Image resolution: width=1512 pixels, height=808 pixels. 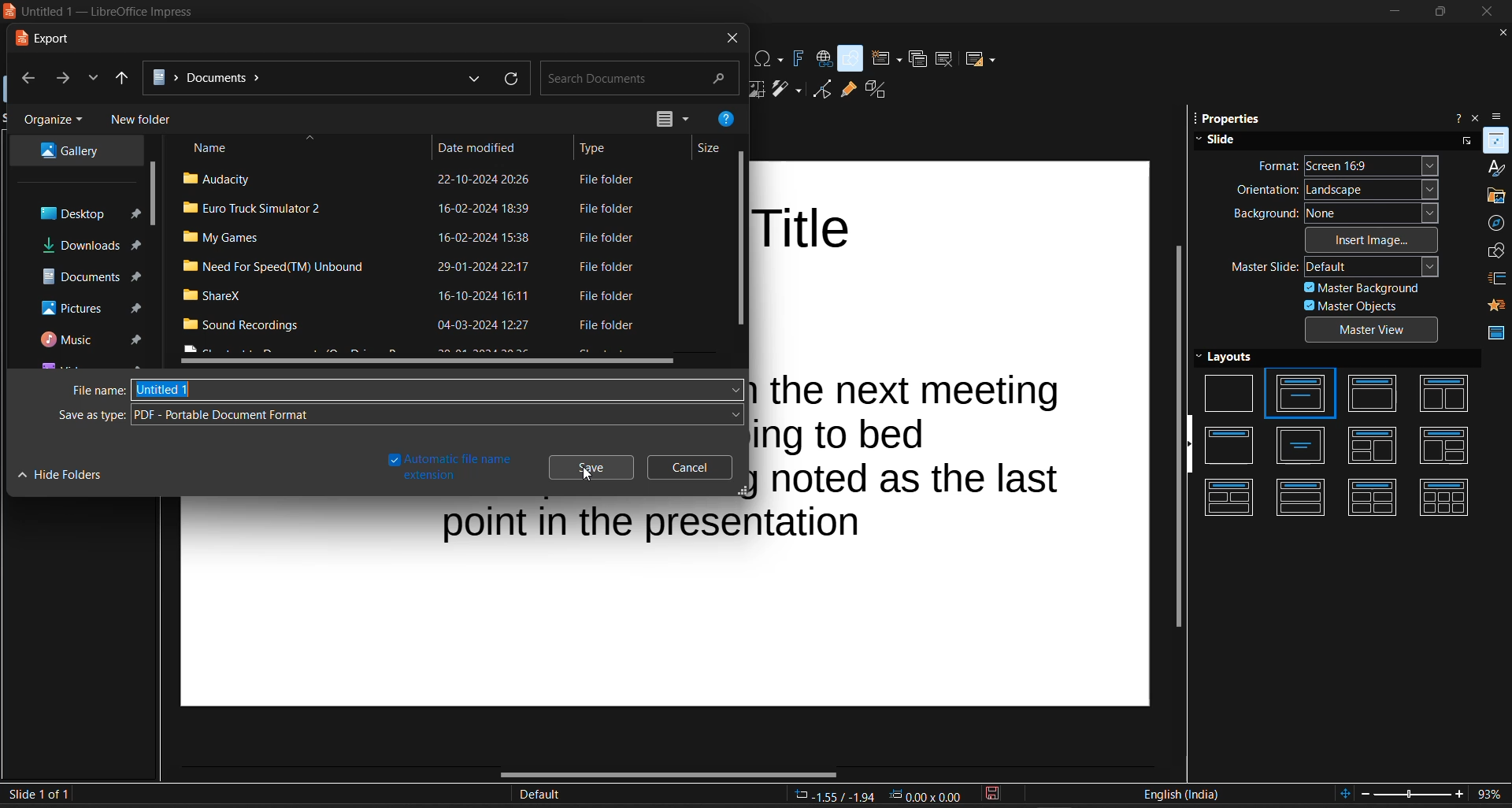 What do you see at coordinates (1463, 142) in the screenshot?
I see `more options` at bounding box center [1463, 142].